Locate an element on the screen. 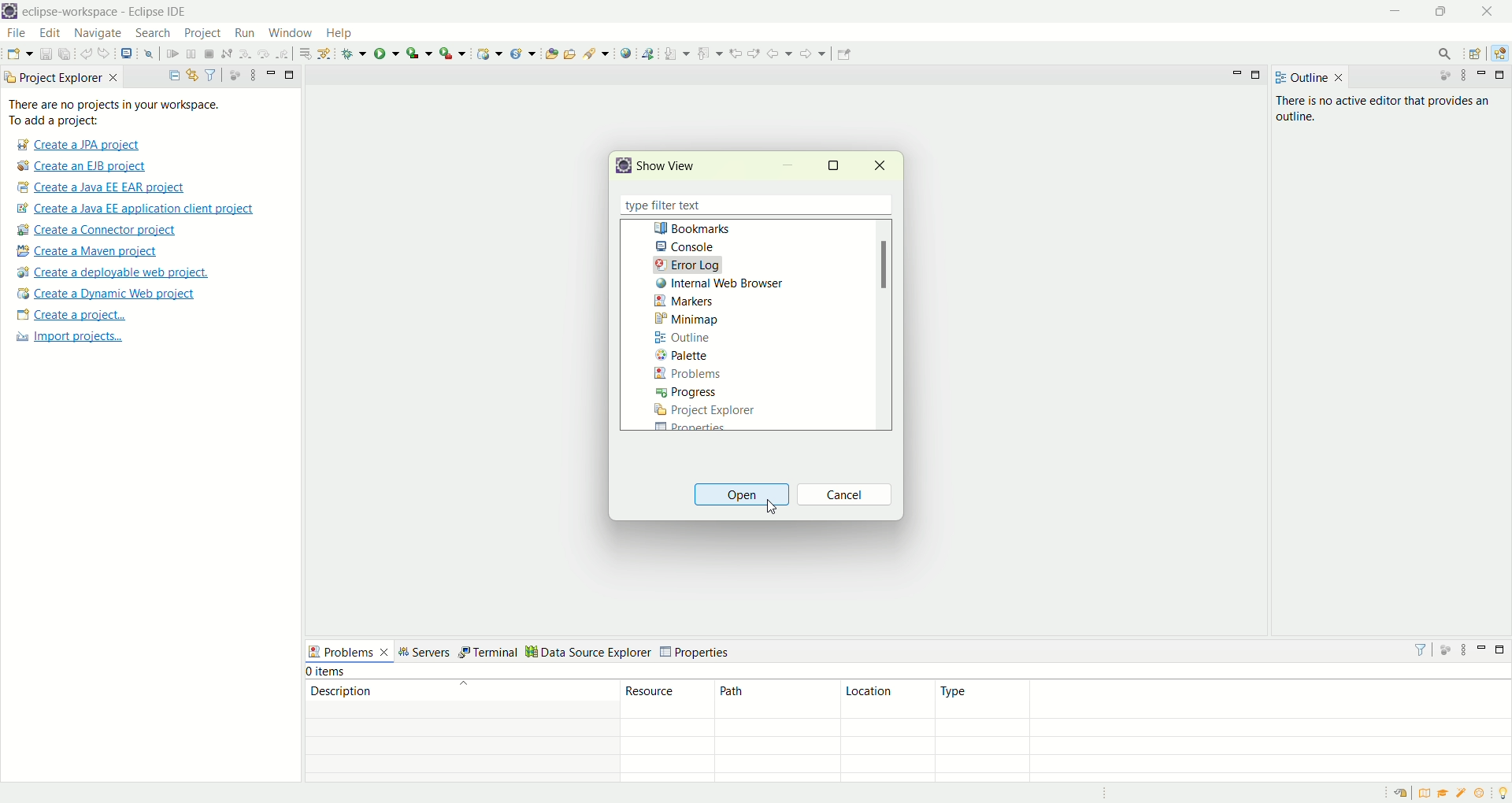 The width and height of the screenshot is (1512, 803). cancel is located at coordinates (845, 495).